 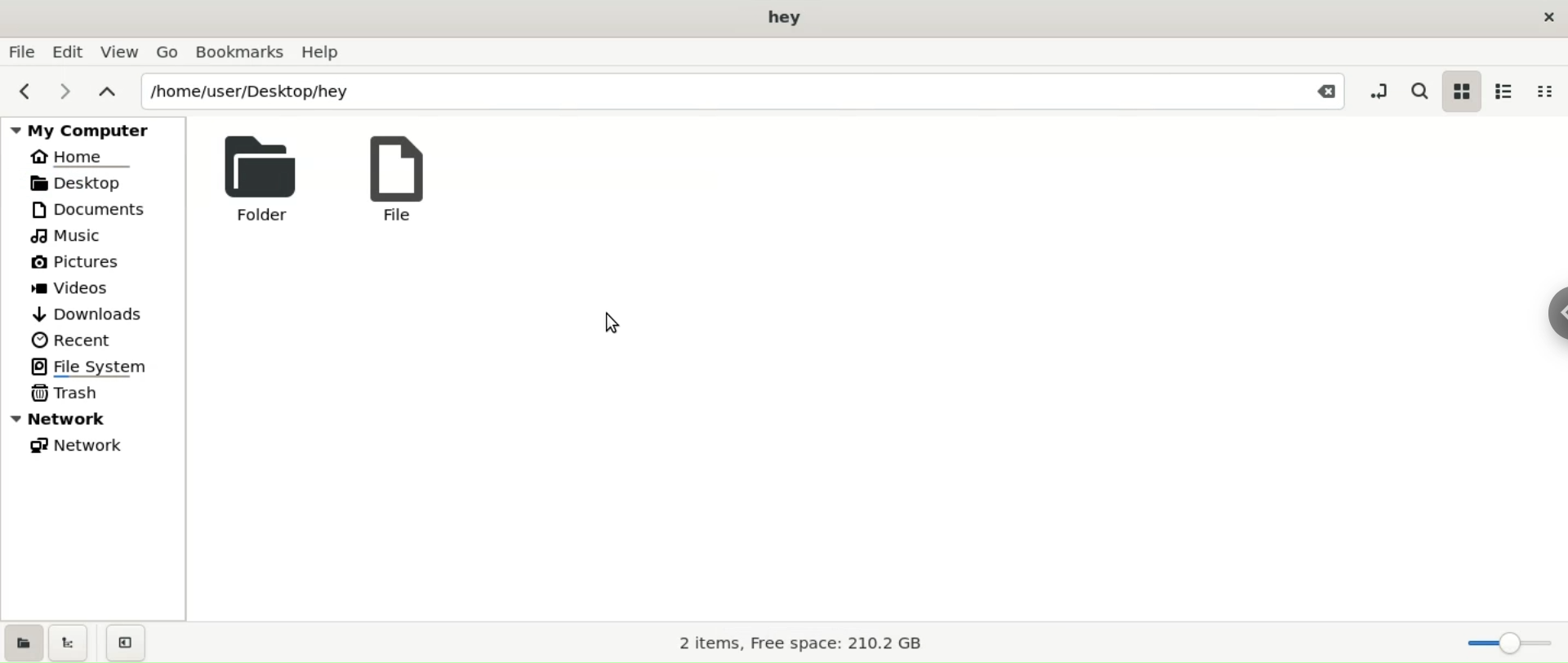 What do you see at coordinates (1548, 90) in the screenshot?
I see `compact view` at bounding box center [1548, 90].